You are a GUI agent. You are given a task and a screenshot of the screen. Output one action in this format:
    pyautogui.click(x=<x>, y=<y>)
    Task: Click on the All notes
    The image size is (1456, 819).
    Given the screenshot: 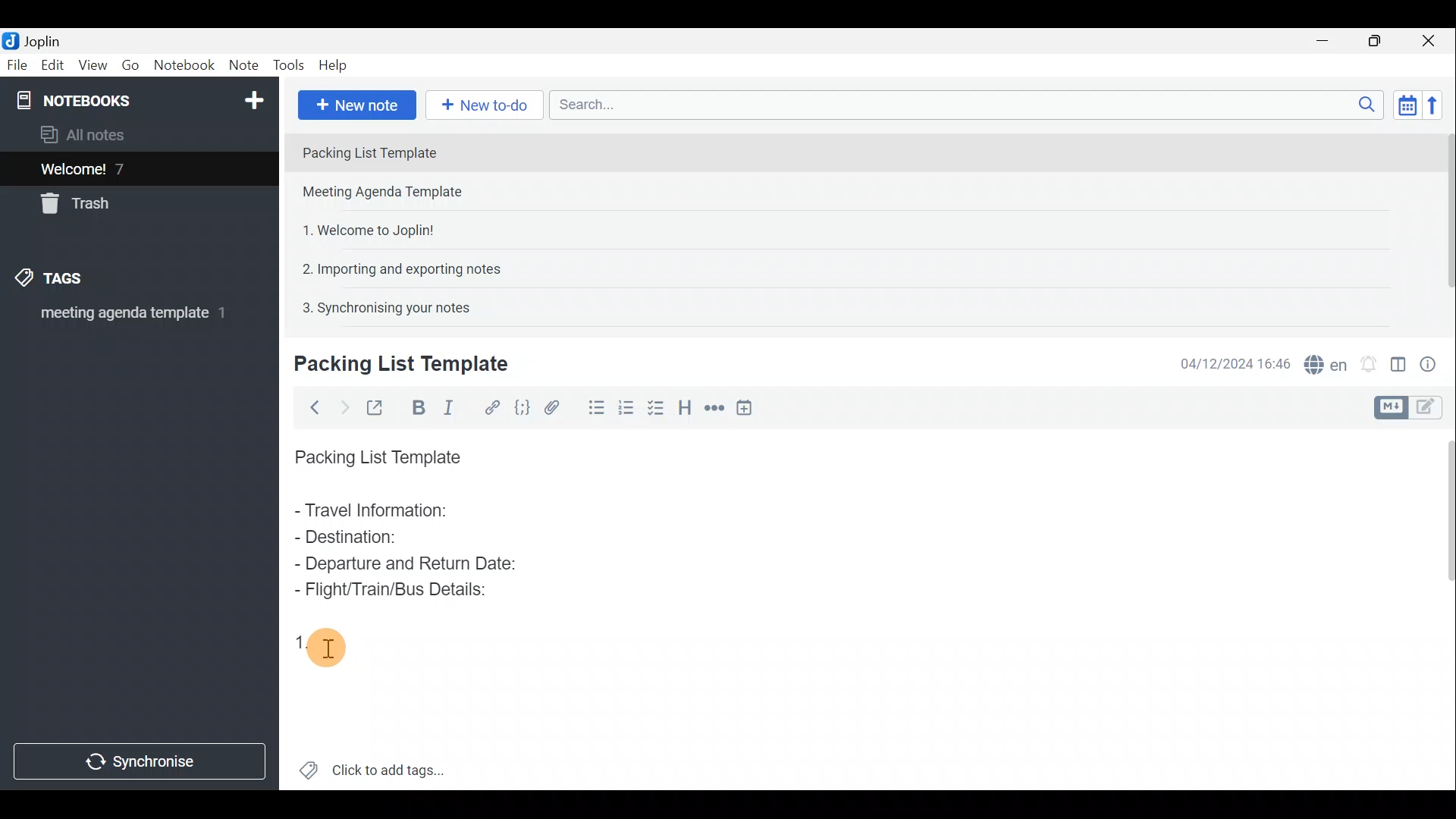 What is the action you would take?
    pyautogui.click(x=88, y=134)
    